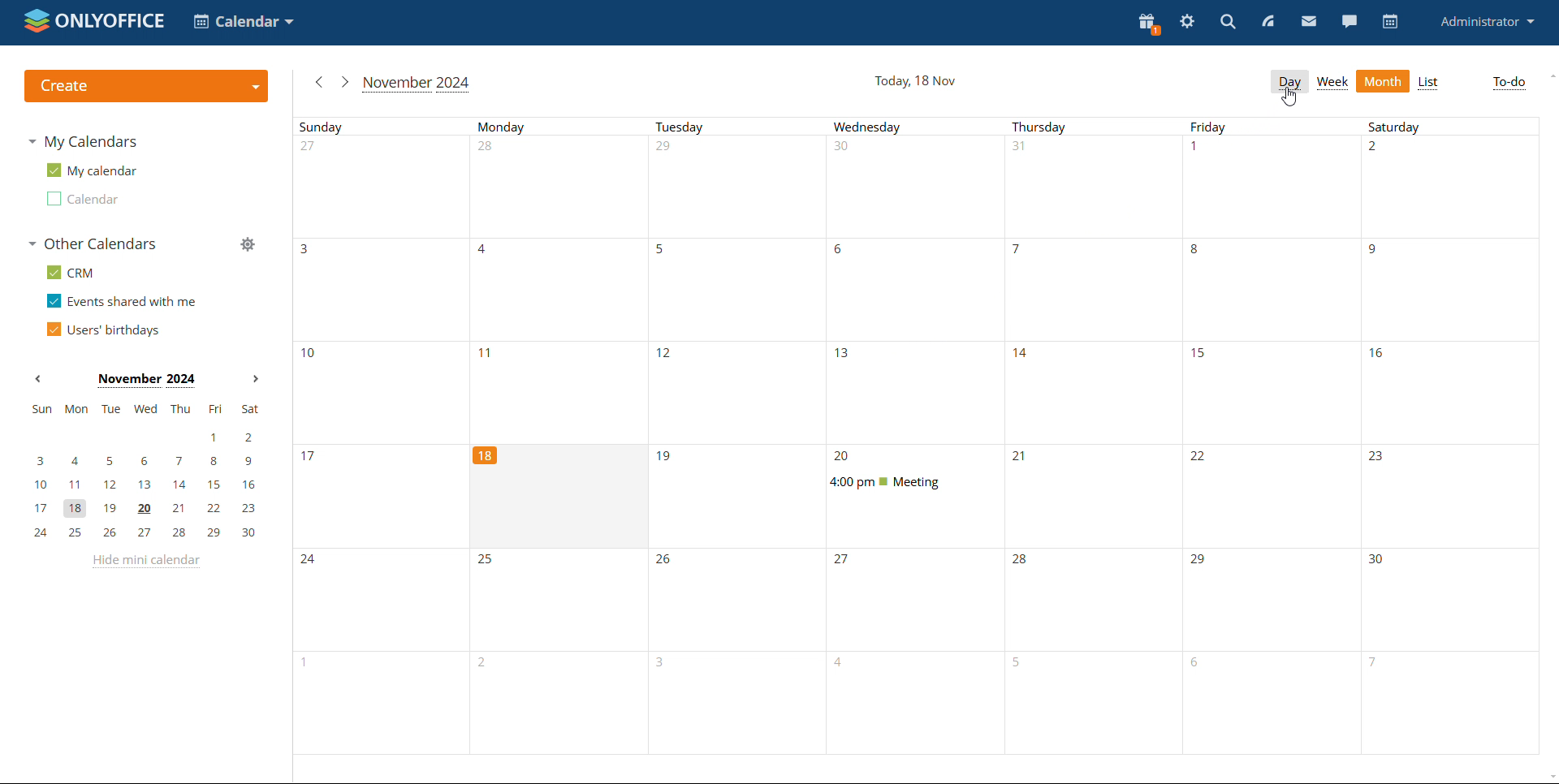 Image resolution: width=1559 pixels, height=784 pixels. I want to click on Wednesday, so click(918, 290).